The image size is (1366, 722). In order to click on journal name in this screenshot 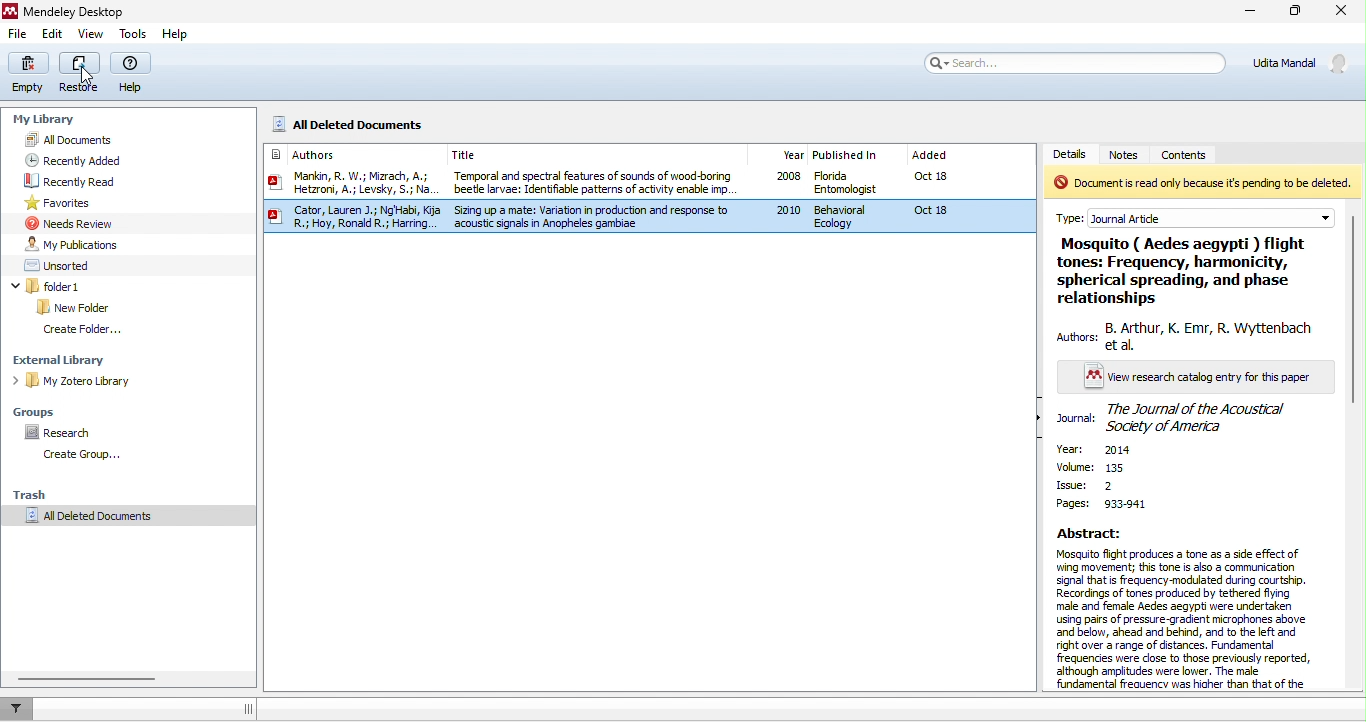, I will do `click(1178, 418)`.